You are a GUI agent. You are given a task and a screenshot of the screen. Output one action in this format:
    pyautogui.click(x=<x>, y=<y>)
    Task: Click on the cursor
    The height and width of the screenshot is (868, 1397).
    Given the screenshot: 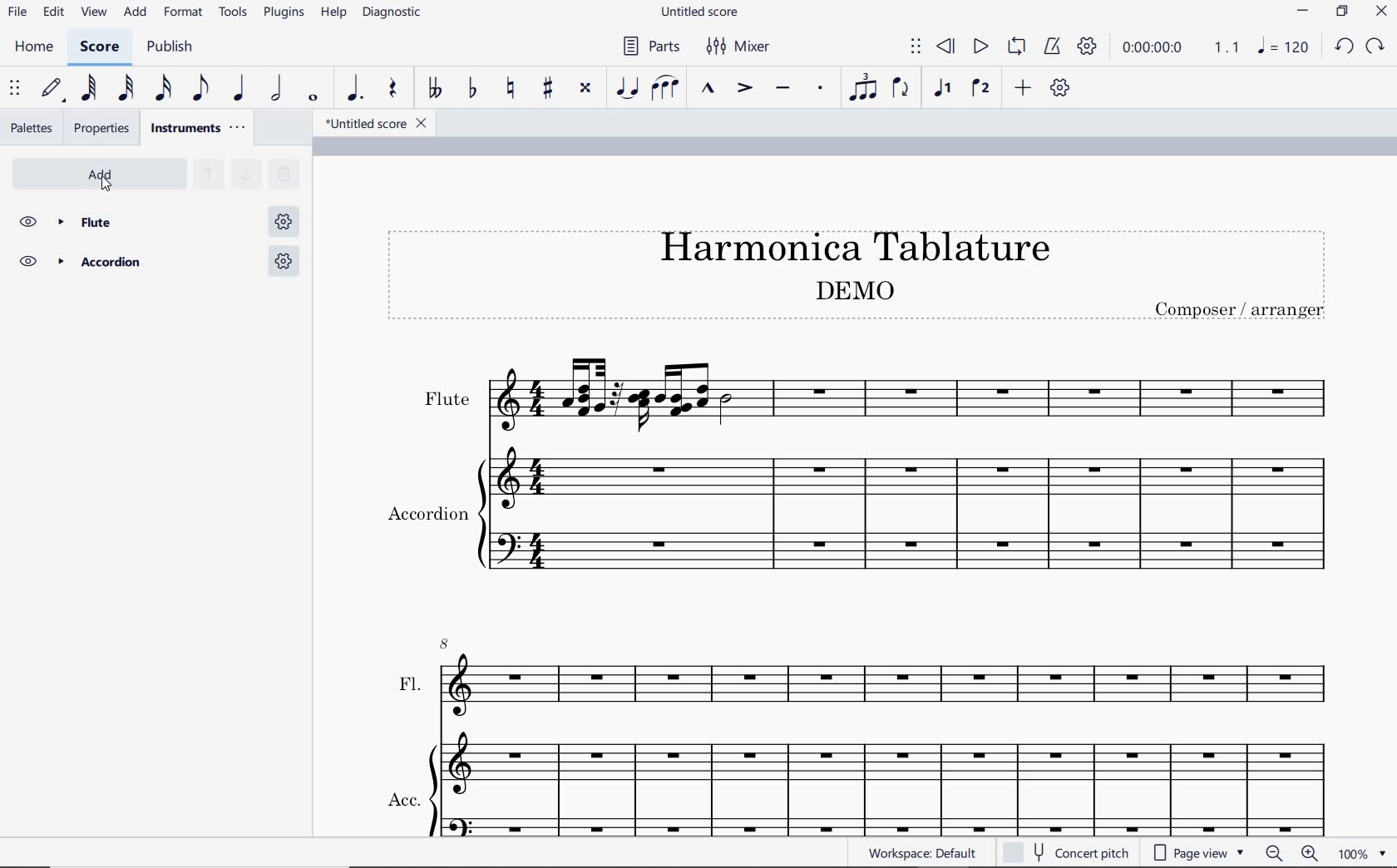 What is the action you would take?
    pyautogui.click(x=109, y=189)
    